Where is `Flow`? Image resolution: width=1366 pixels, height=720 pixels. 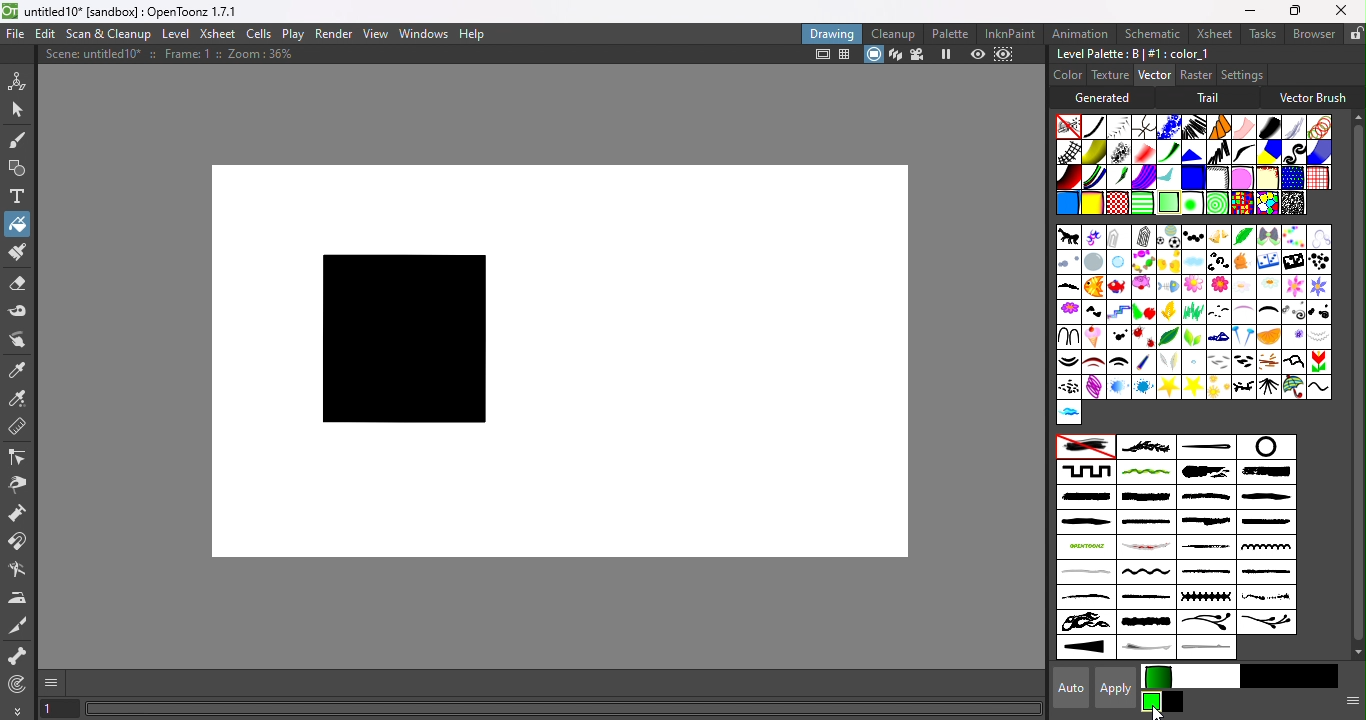 Flow is located at coordinates (1217, 287).